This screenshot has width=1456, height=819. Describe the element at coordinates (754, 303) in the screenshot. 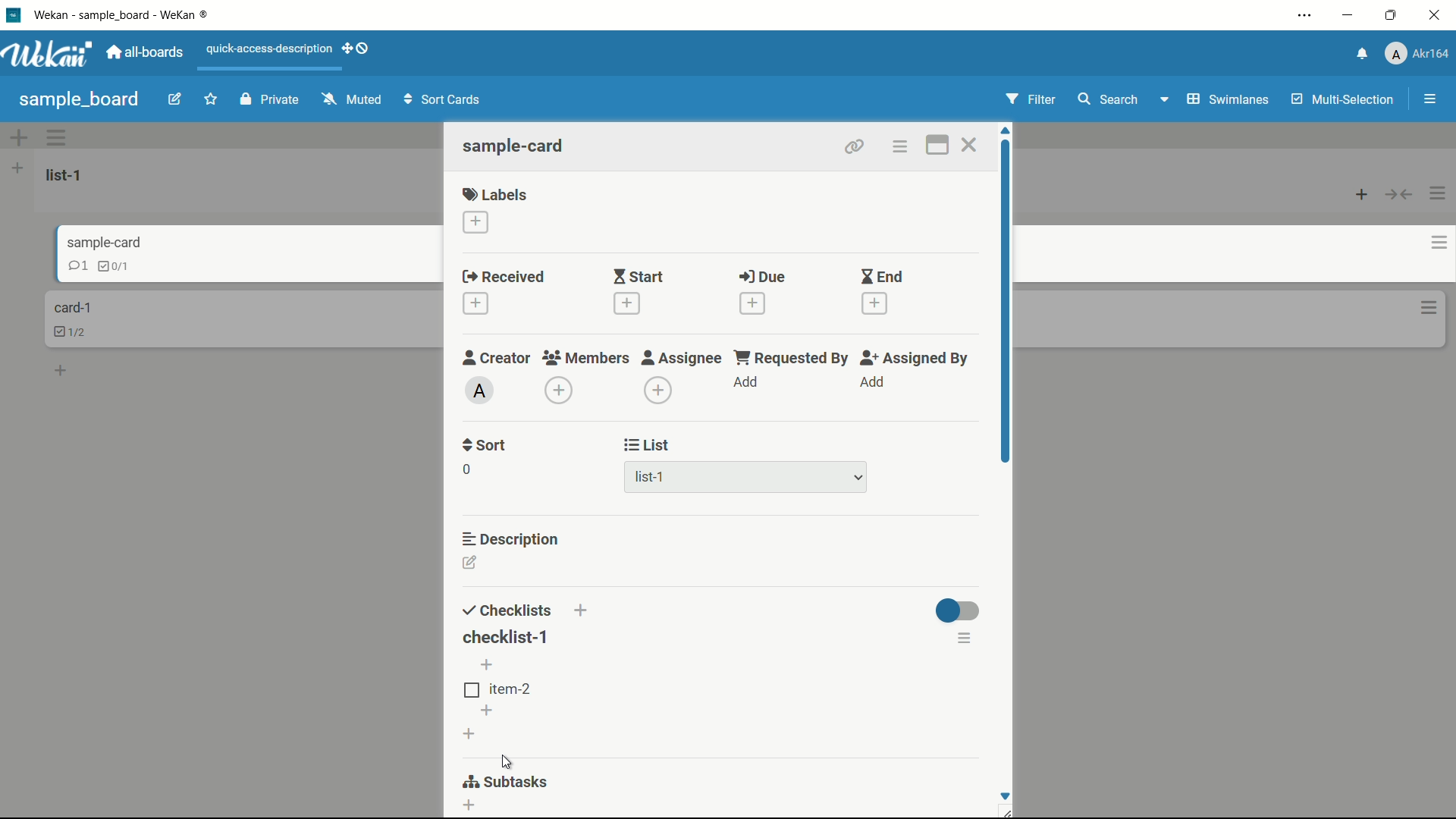

I see `add date` at that location.